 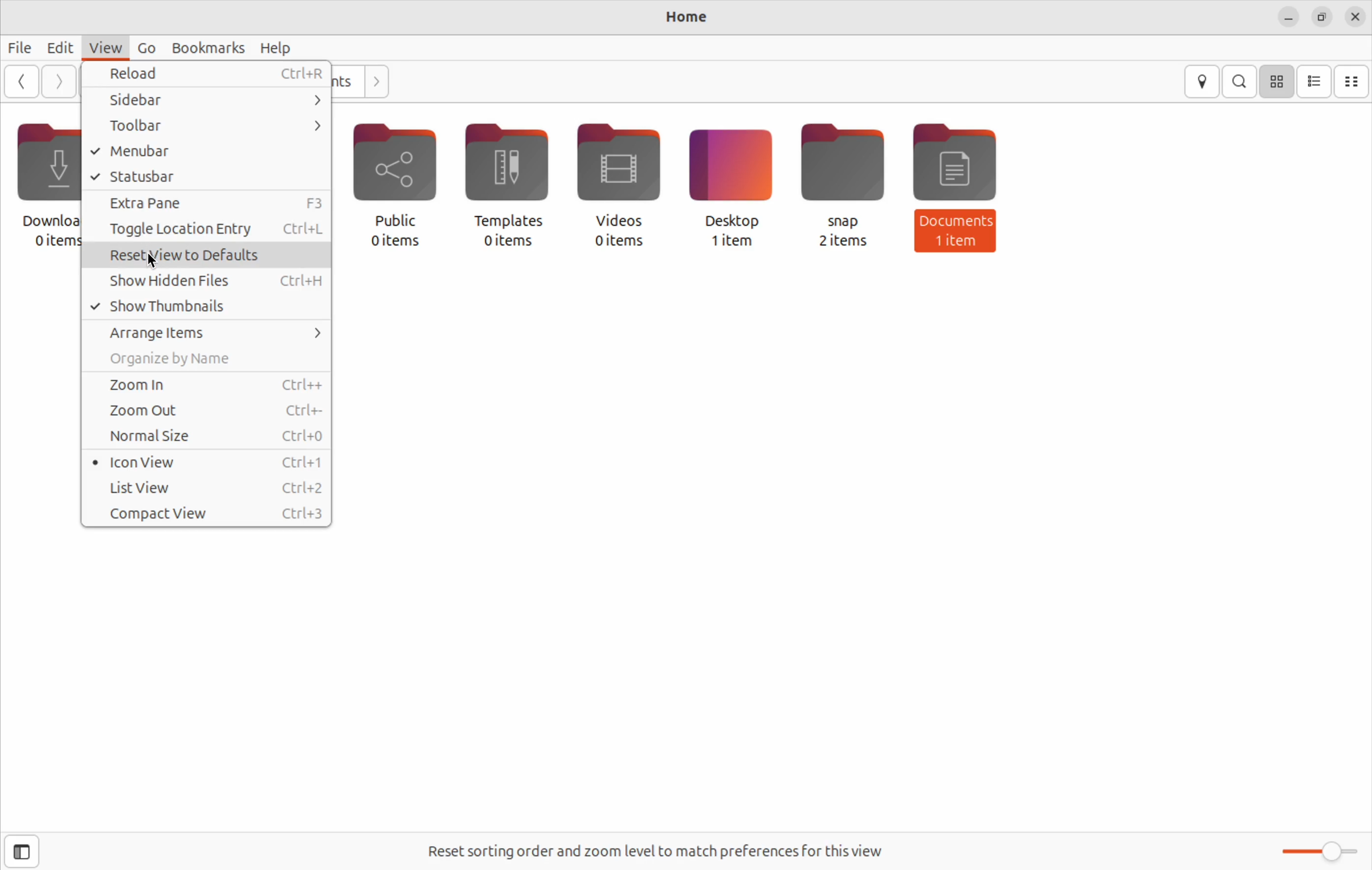 What do you see at coordinates (207, 177) in the screenshot?
I see `Stautusbar` at bounding box center [207, 177].